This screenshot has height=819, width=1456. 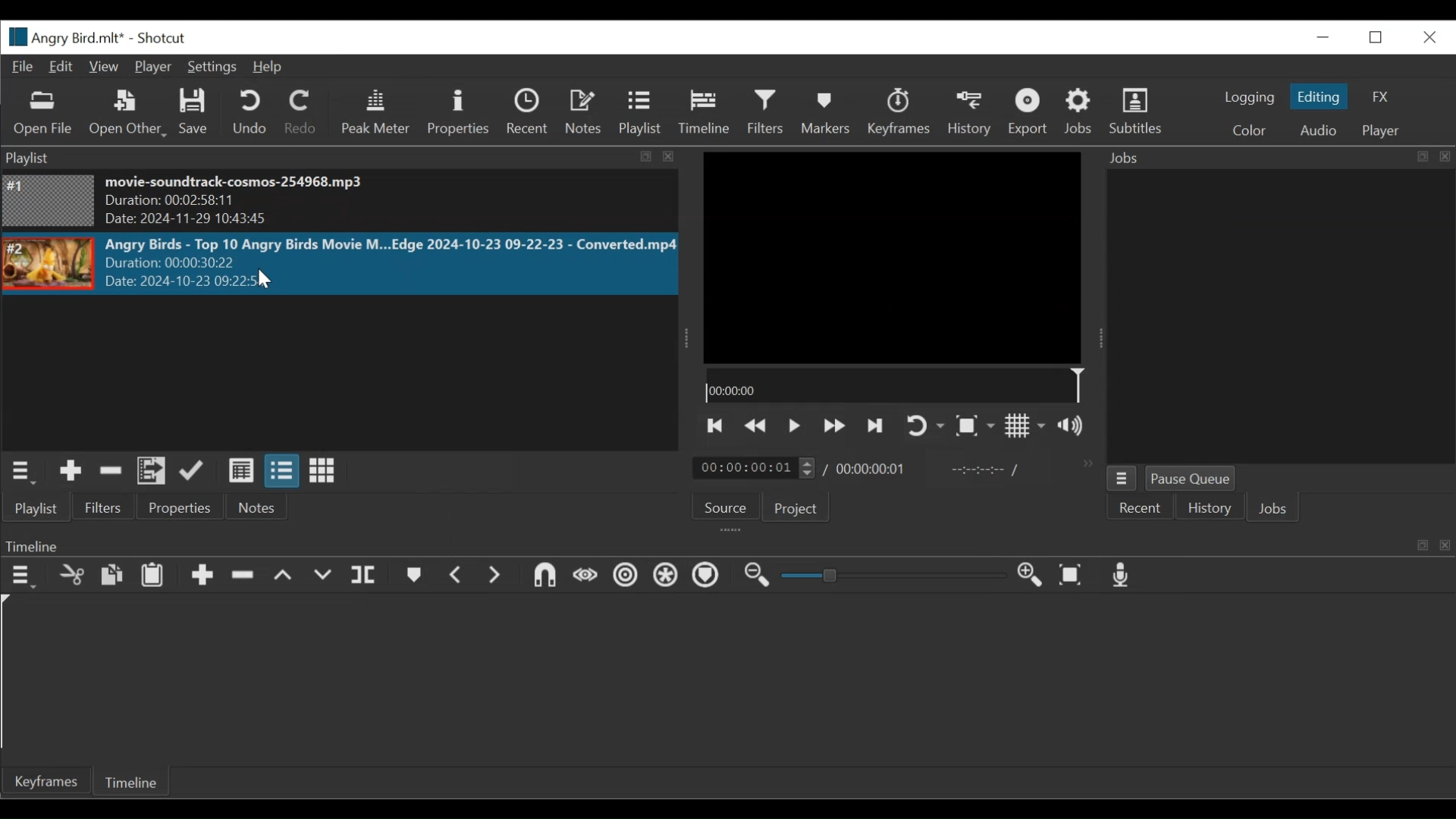 I want to click on Subtitles, so click(x=1141, y=113).